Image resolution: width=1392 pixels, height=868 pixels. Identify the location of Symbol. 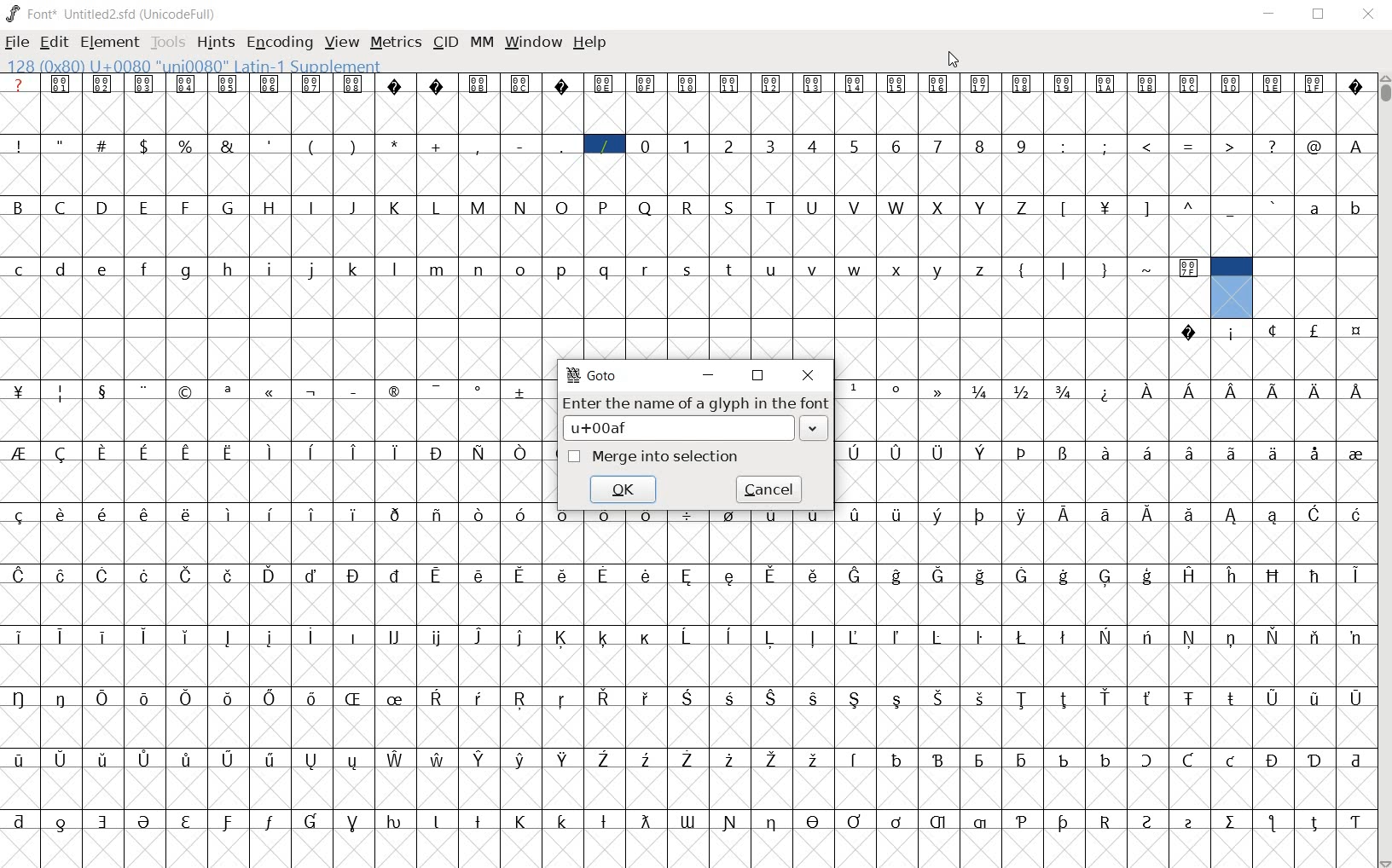
(315, 759).